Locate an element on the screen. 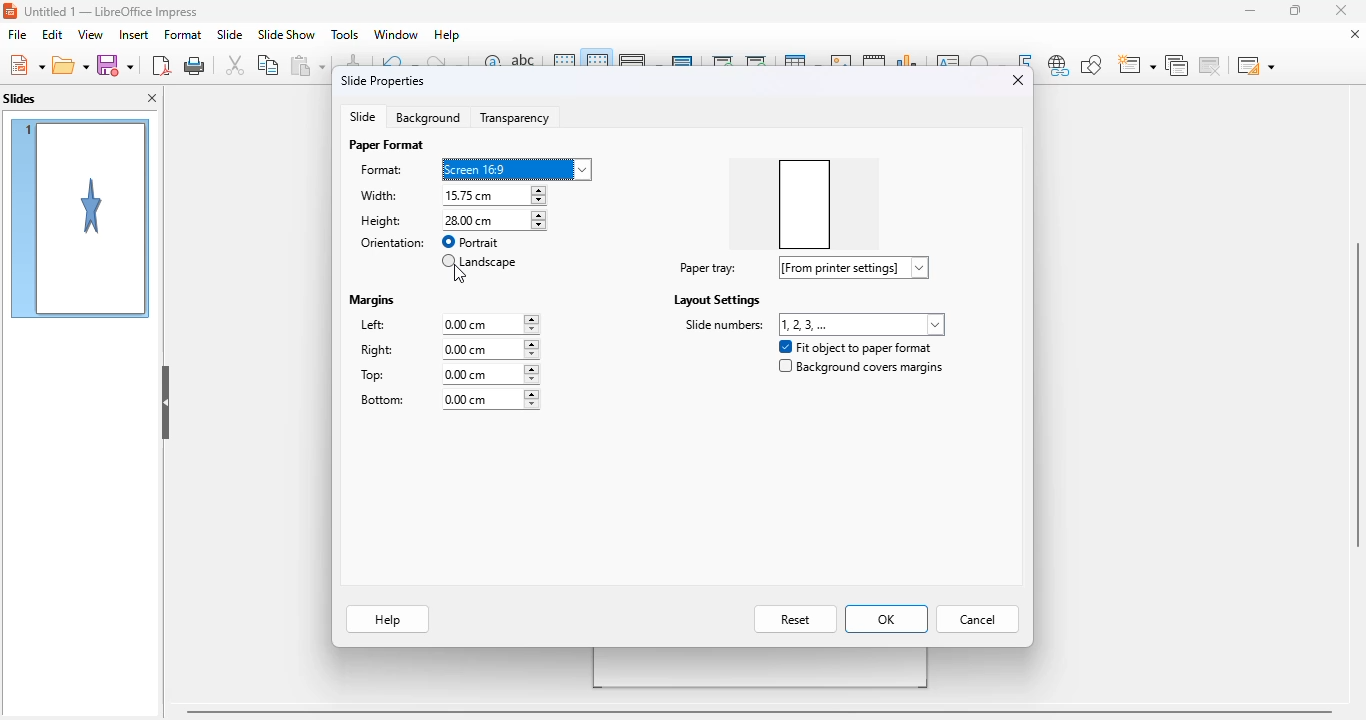 This screenshot has height=720, width=1366. bottom: 0.00 cm is located at coordinates (482, 399).